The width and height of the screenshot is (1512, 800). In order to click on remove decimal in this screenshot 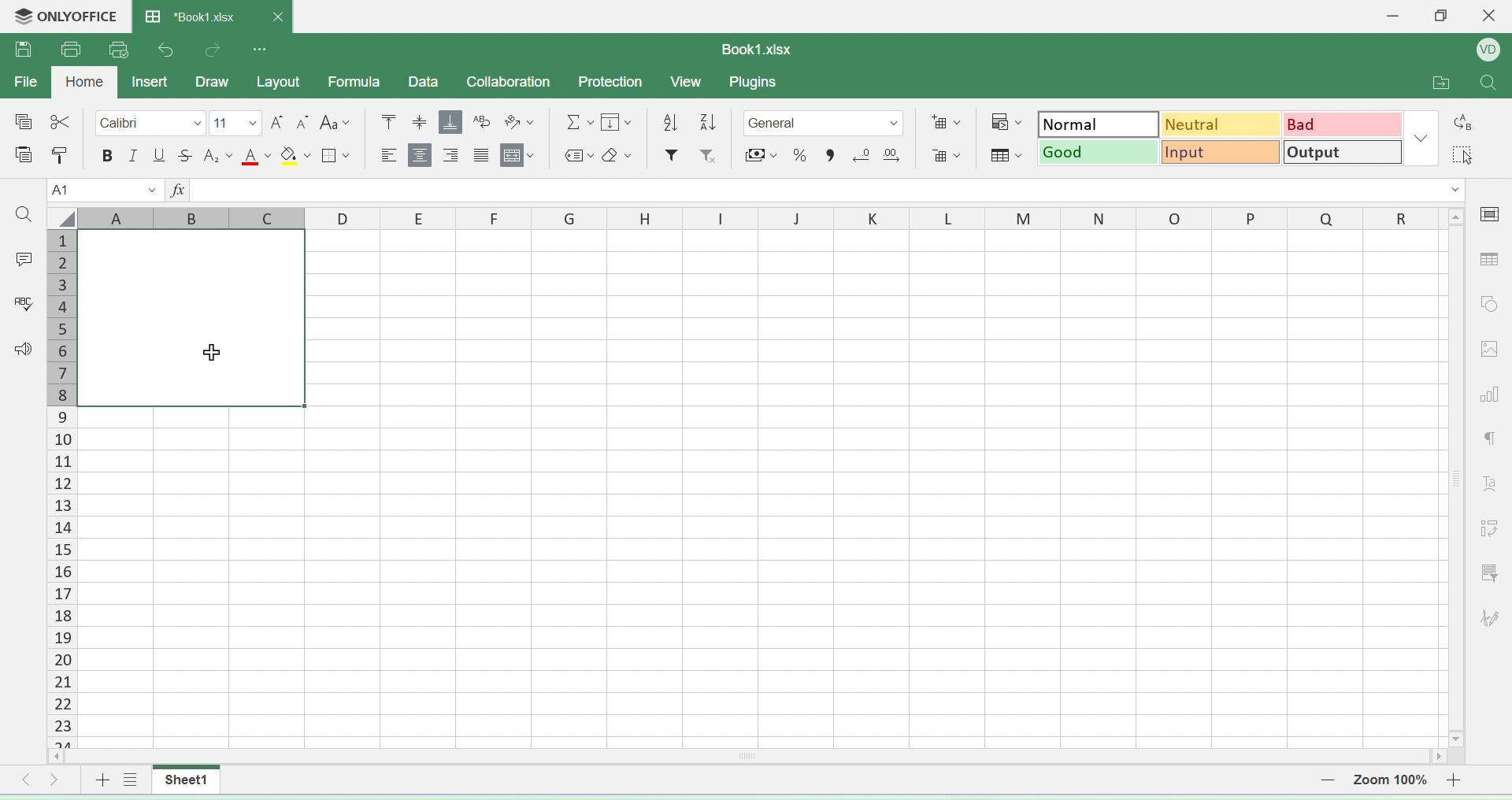, I will do `click(864, 154)`.